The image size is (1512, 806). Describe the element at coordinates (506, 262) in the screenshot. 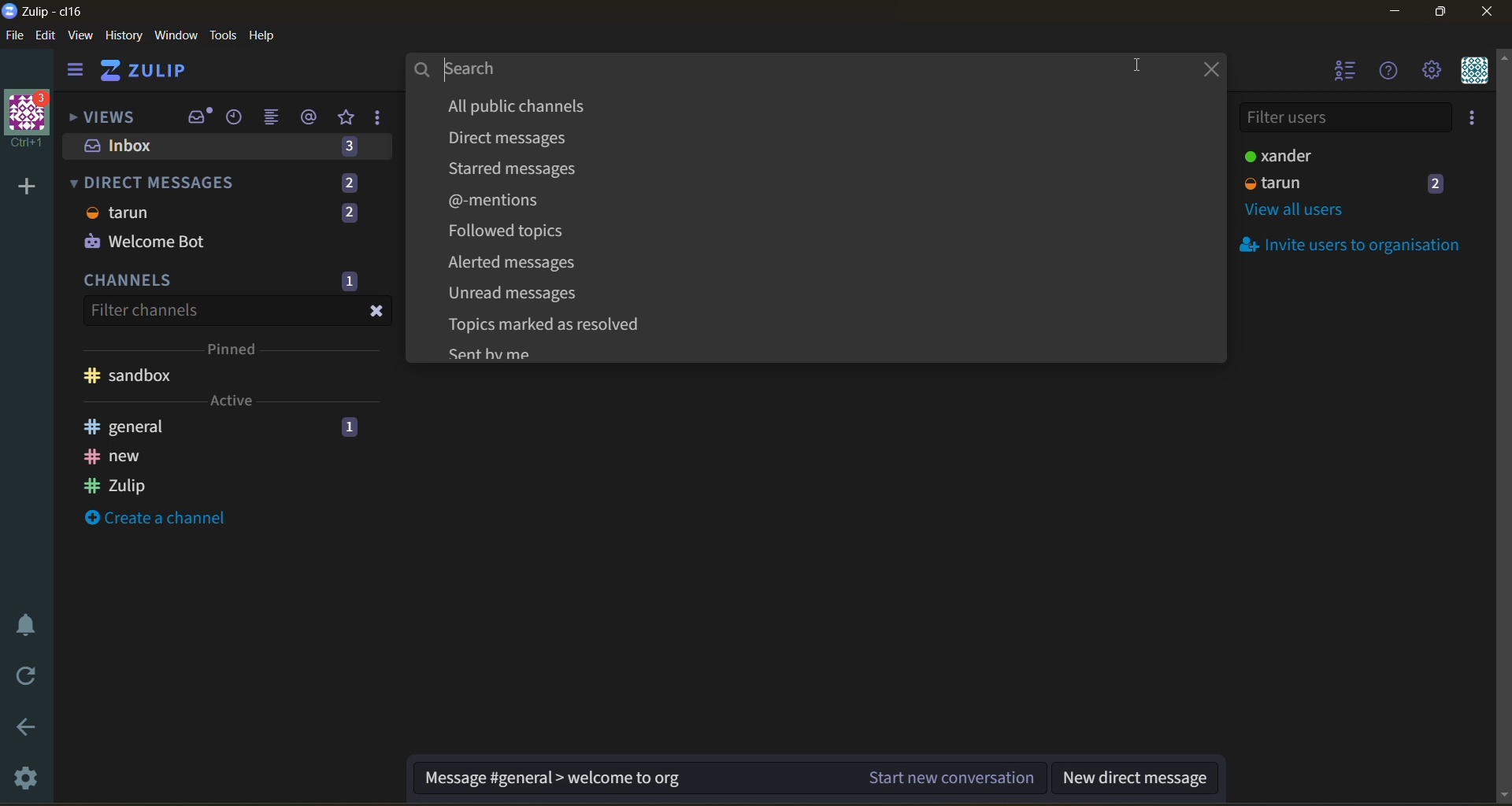

I see `Alerted messages` at that location.